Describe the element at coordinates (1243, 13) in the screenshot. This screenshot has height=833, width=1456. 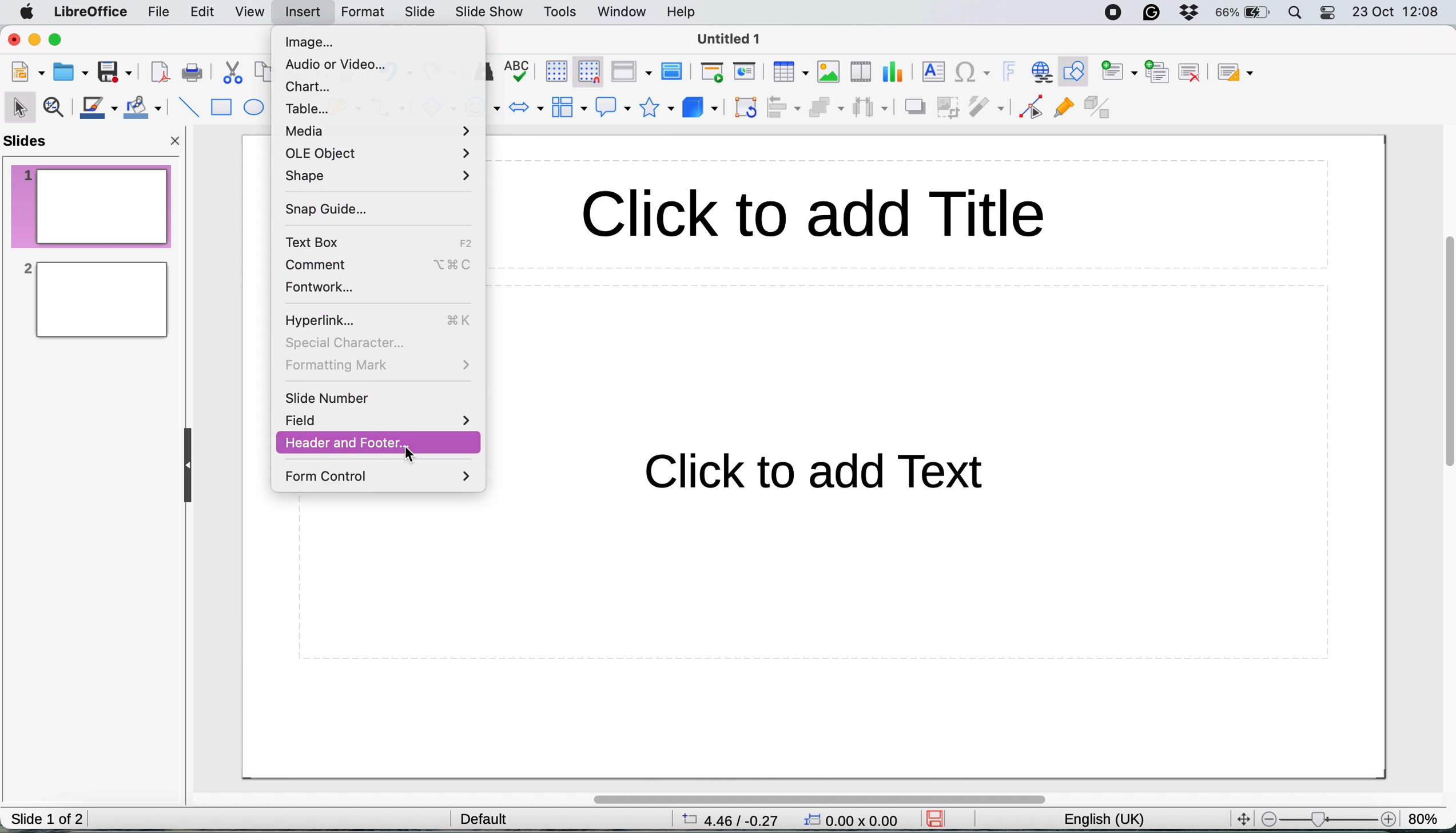
I see `battery` at that location.